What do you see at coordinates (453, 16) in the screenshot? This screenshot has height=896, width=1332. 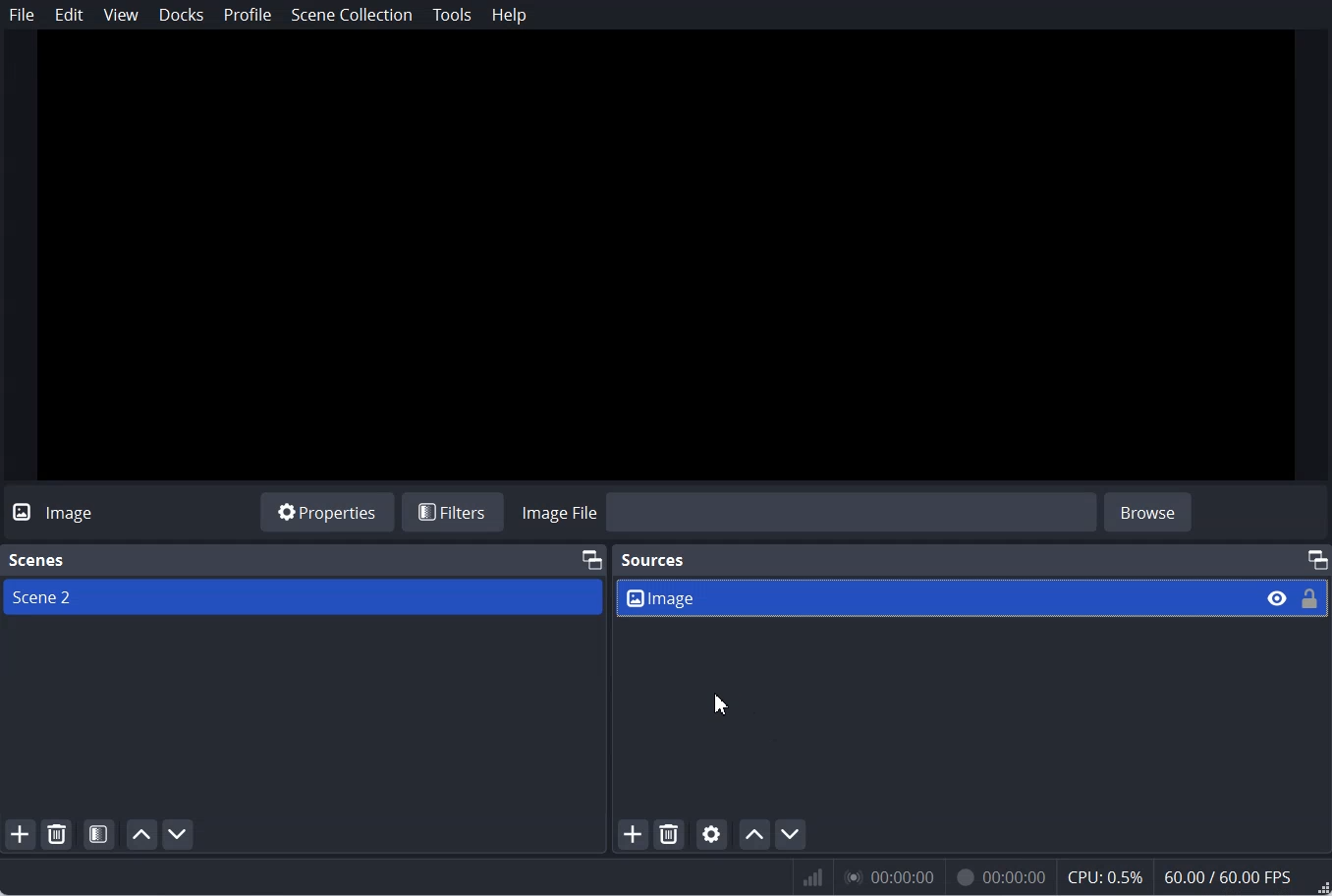 I see `Tools` at bounding box center [453, 16].